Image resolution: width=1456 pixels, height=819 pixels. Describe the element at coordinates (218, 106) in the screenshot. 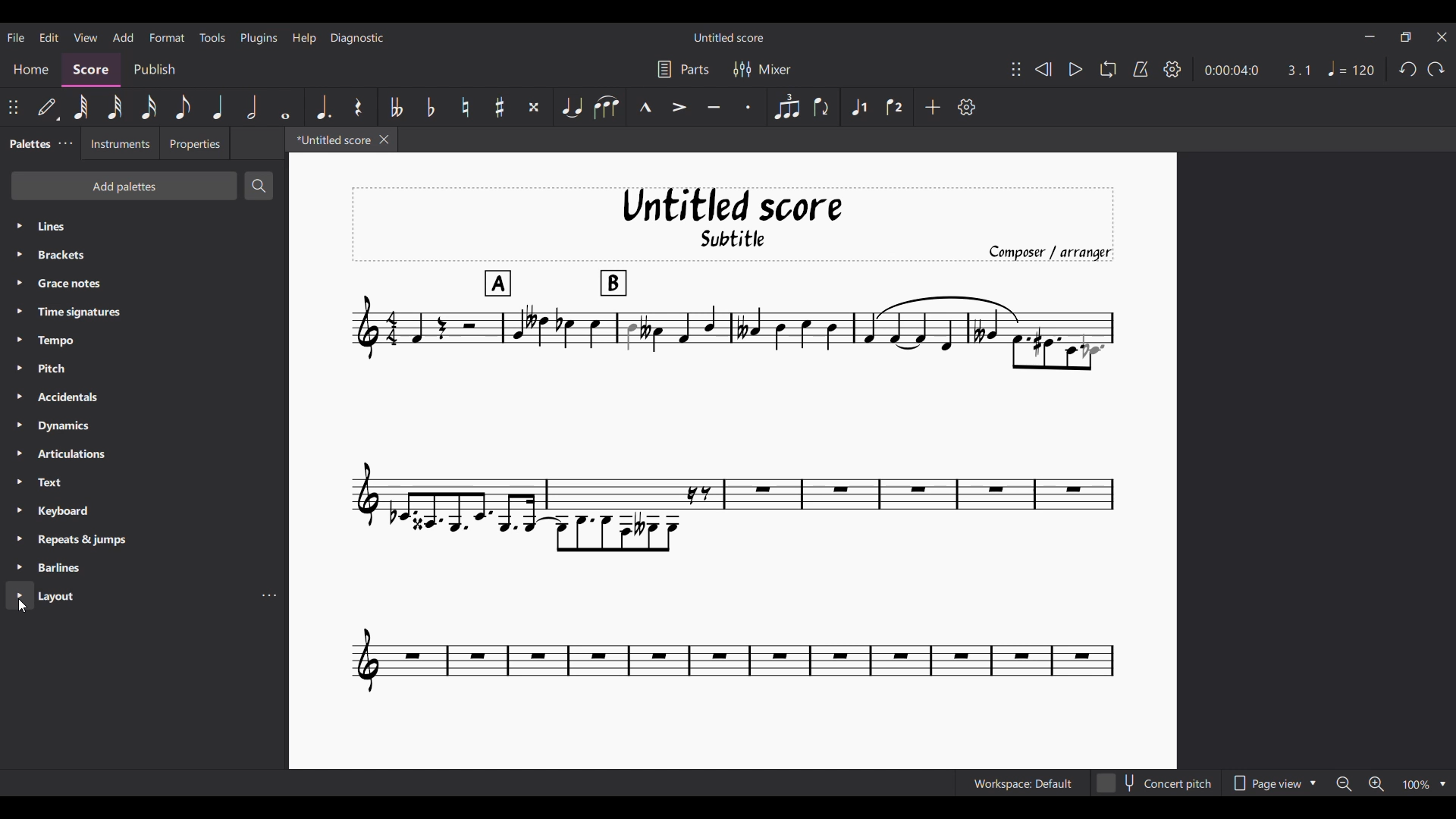

I see `Quarter note` at that location.